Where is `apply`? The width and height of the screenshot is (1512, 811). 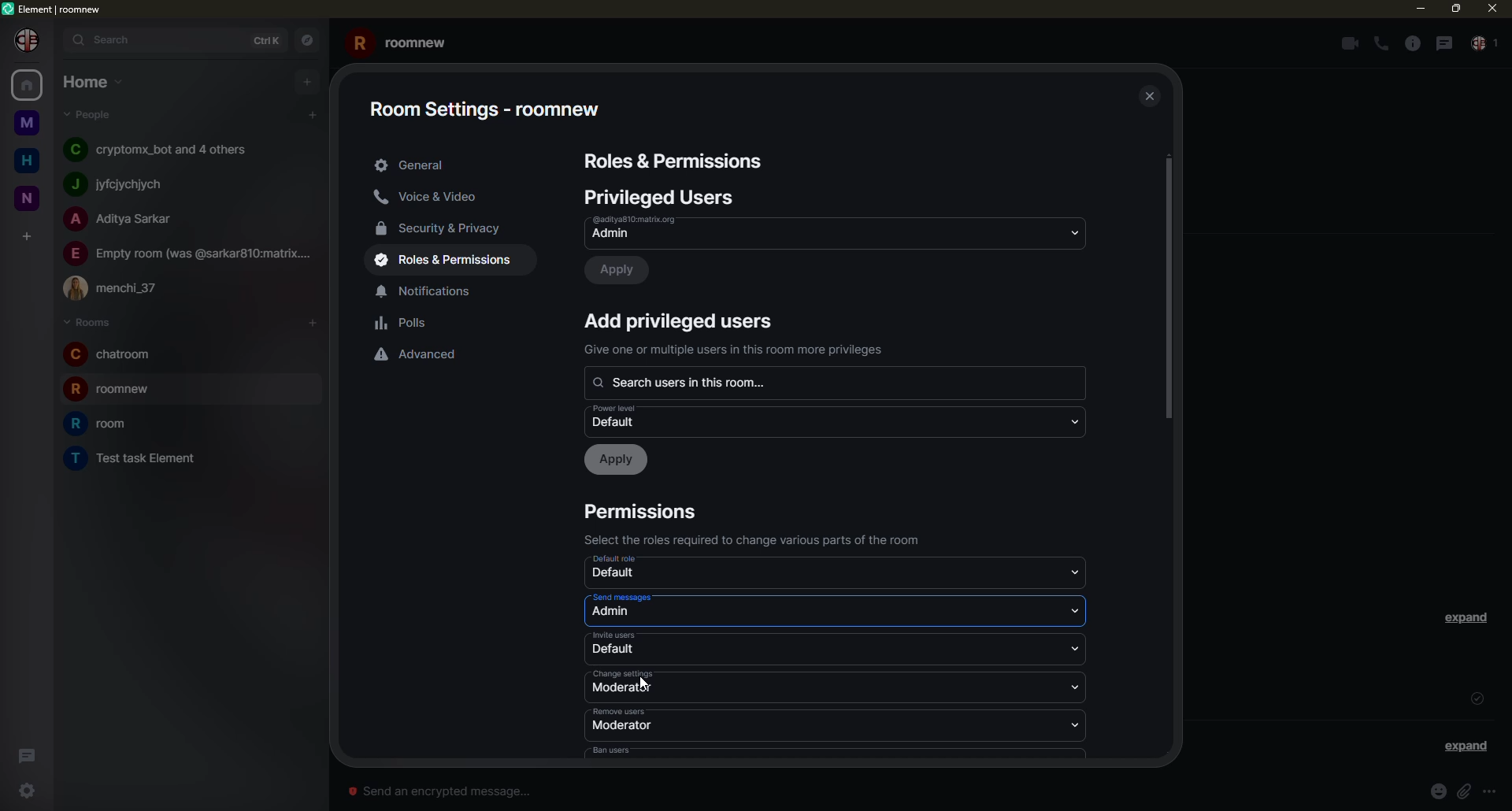
apply is located at coordinates (621, 270).